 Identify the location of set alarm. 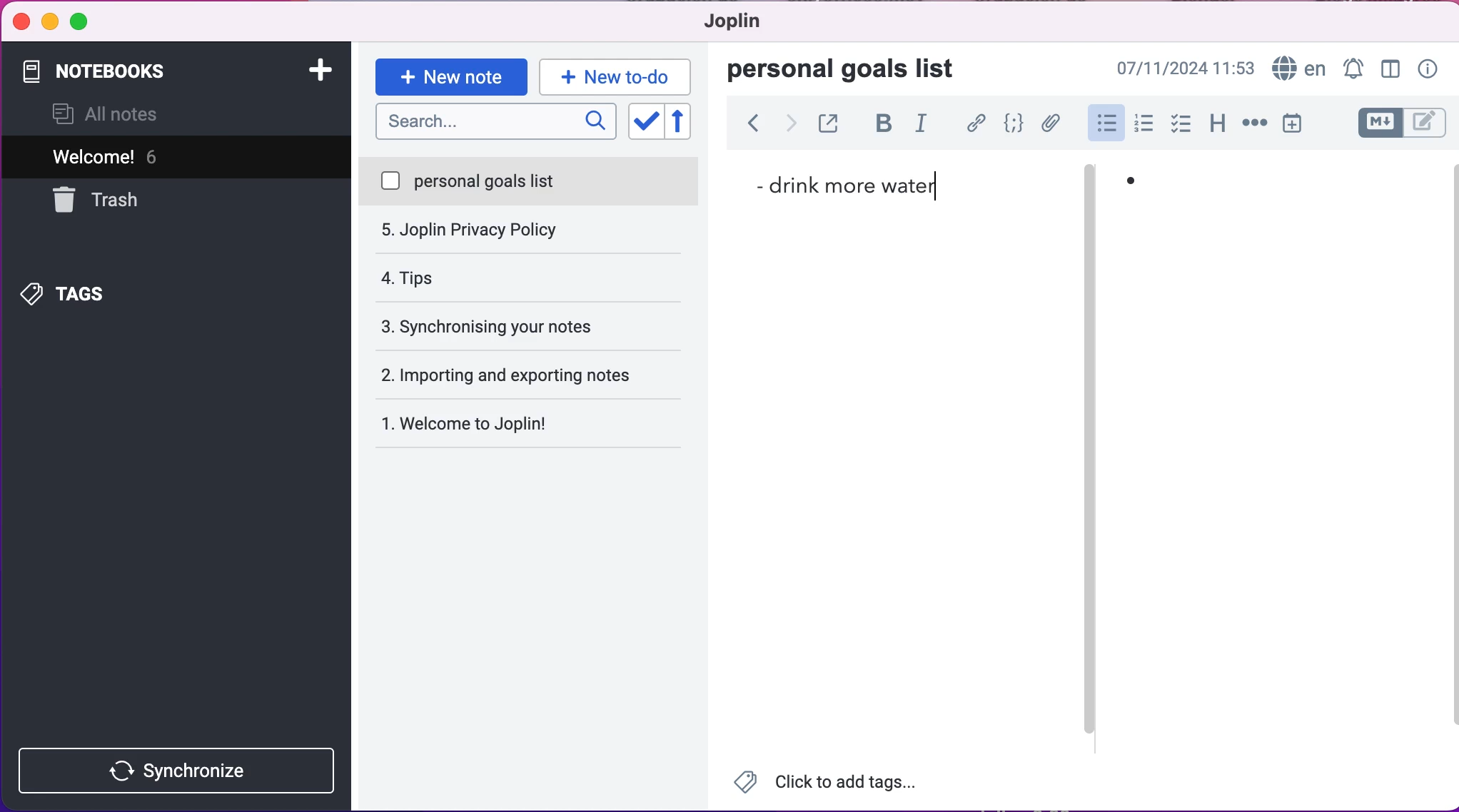
(1351, 66).